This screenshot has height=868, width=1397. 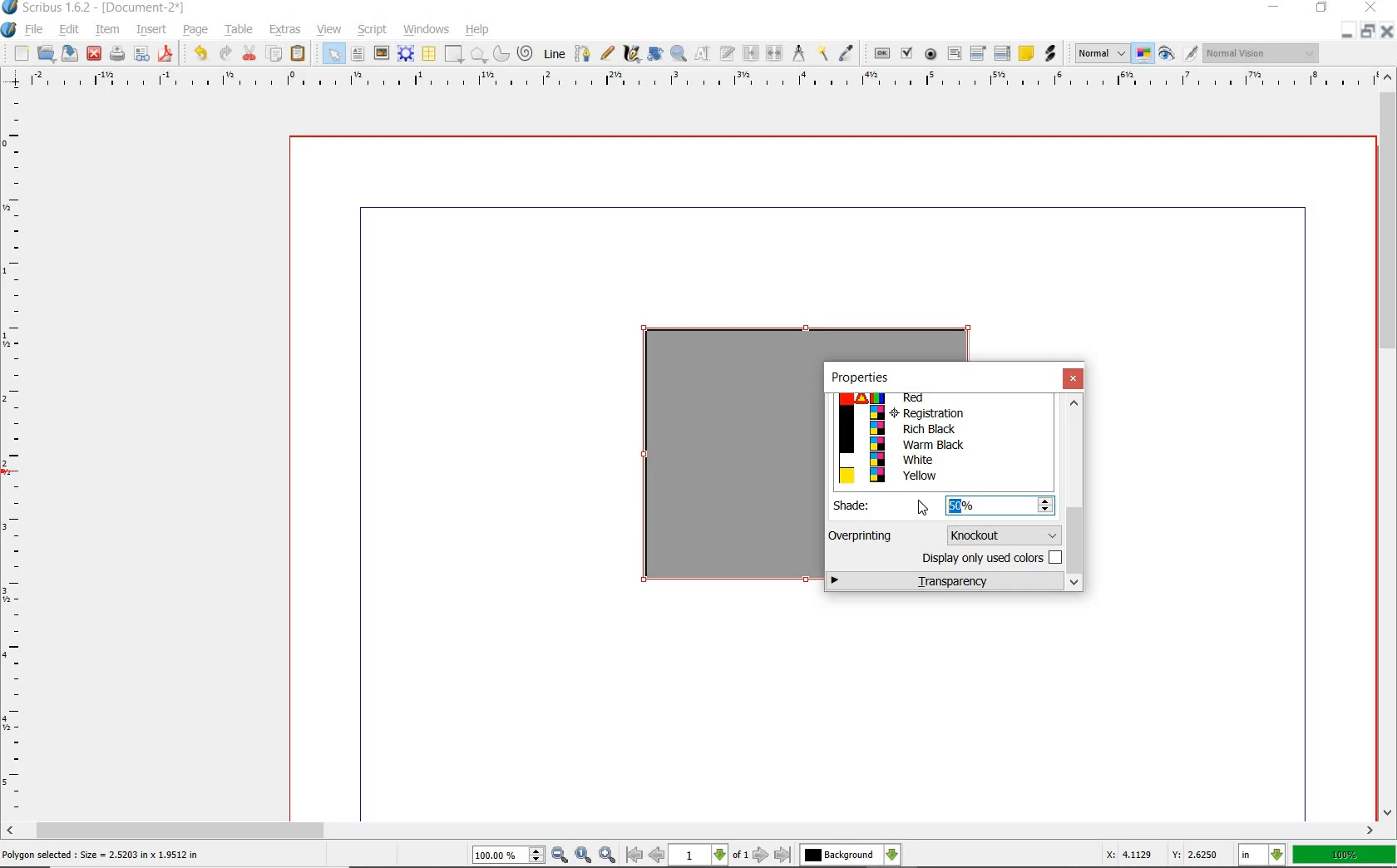 What do you see at coordinates (1074, 379) in the screenshot?
I see `close` at bounding box center [1074, 379].